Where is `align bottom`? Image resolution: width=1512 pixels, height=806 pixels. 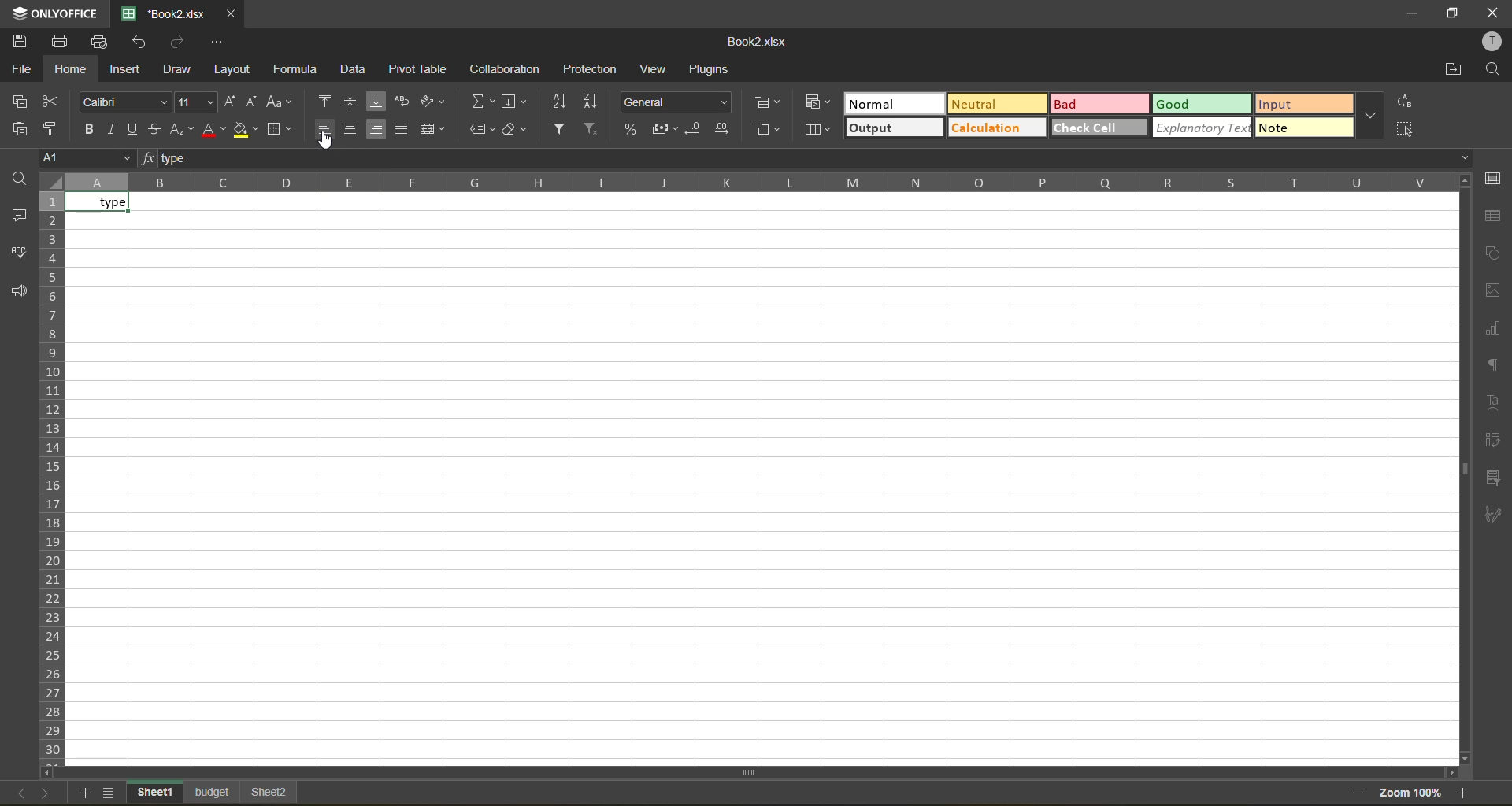
align bottom is located at coordinates (376, 102).